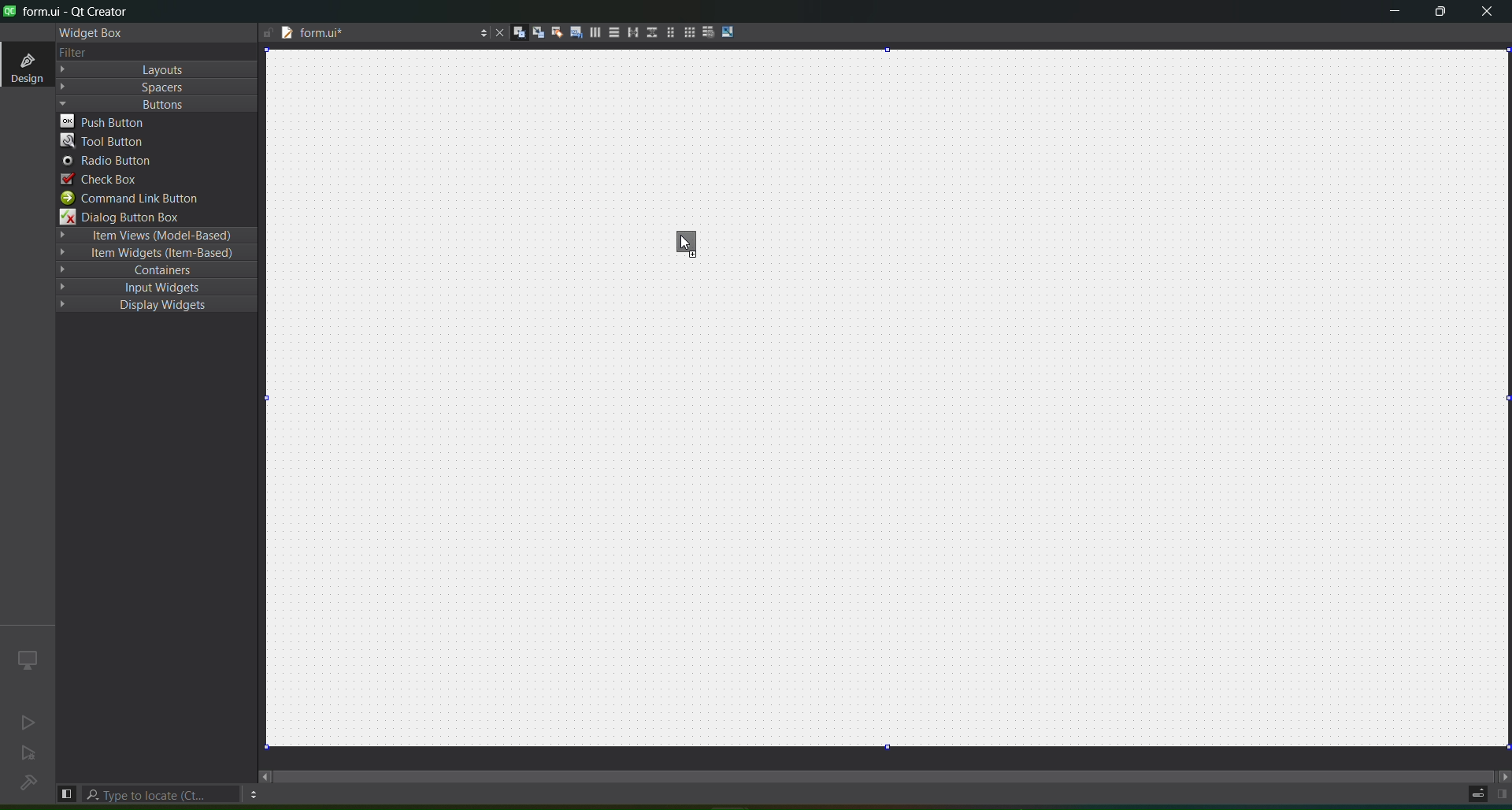 The width and height of the screenshot is (1512, 810). I want to click on cursor, so click(681, 244).